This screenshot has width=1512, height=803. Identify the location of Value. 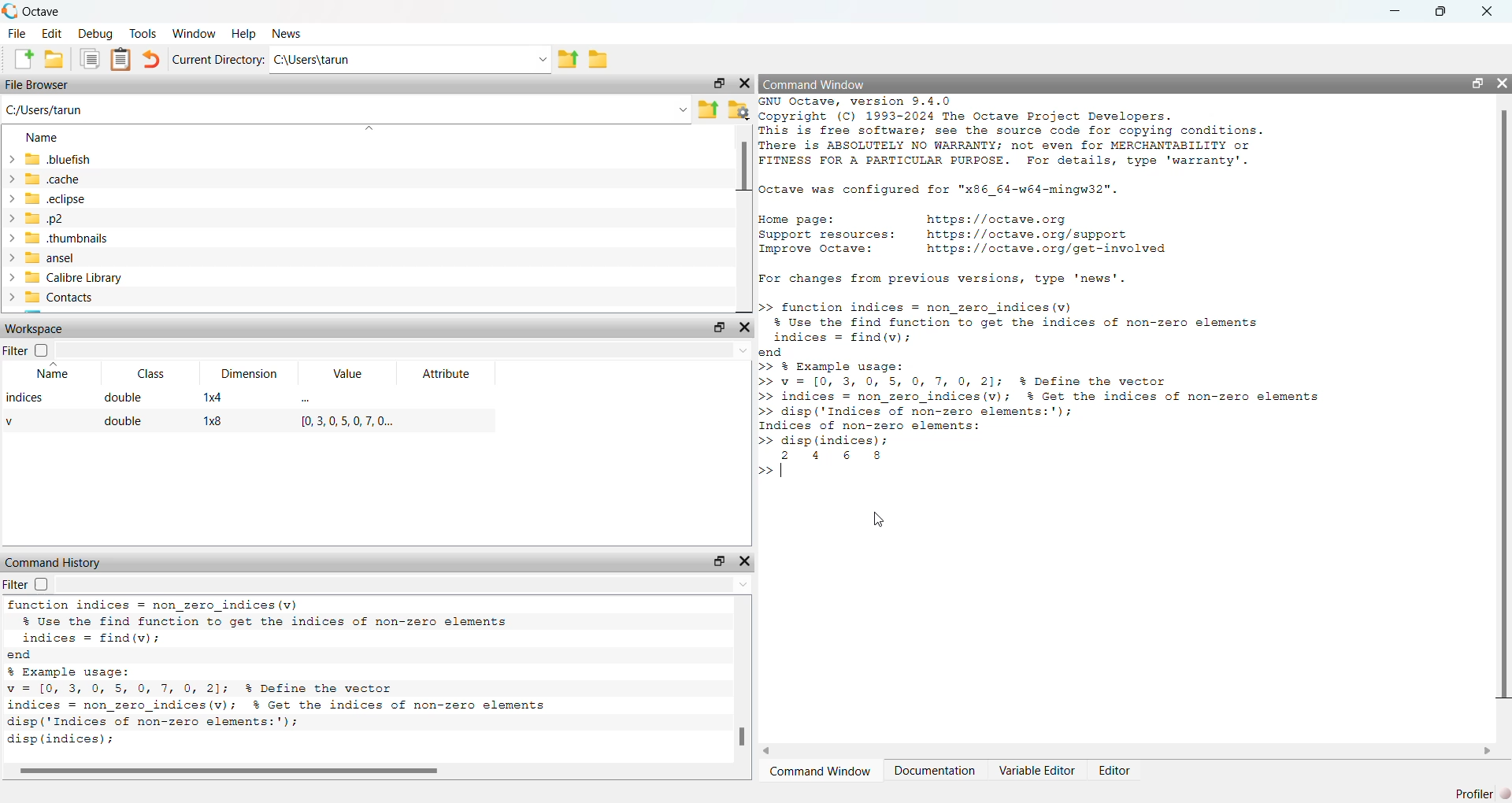
(347, 375).